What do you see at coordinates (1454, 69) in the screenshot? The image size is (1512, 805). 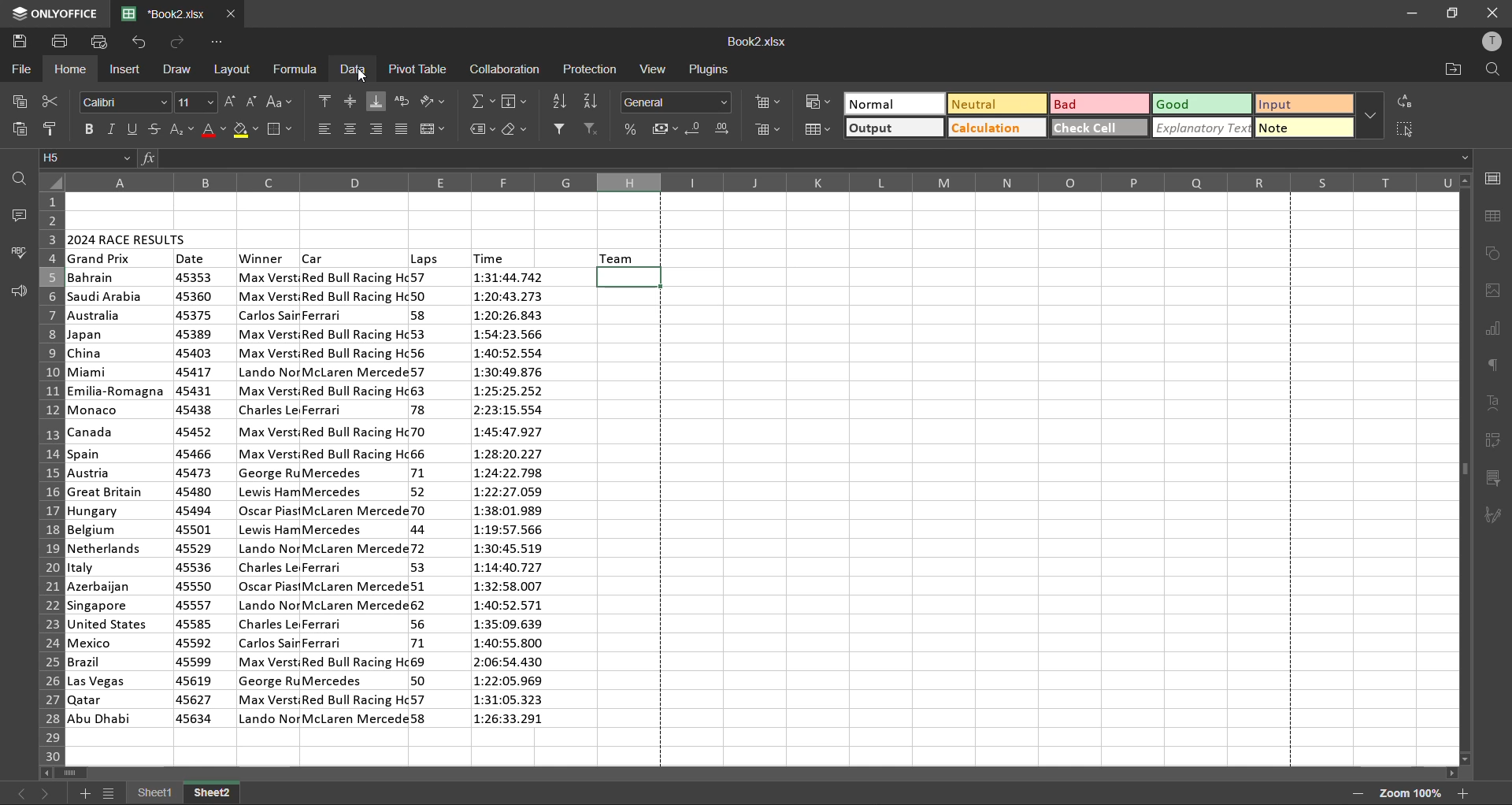 I see `open location` at bounding box center [1454, 69].